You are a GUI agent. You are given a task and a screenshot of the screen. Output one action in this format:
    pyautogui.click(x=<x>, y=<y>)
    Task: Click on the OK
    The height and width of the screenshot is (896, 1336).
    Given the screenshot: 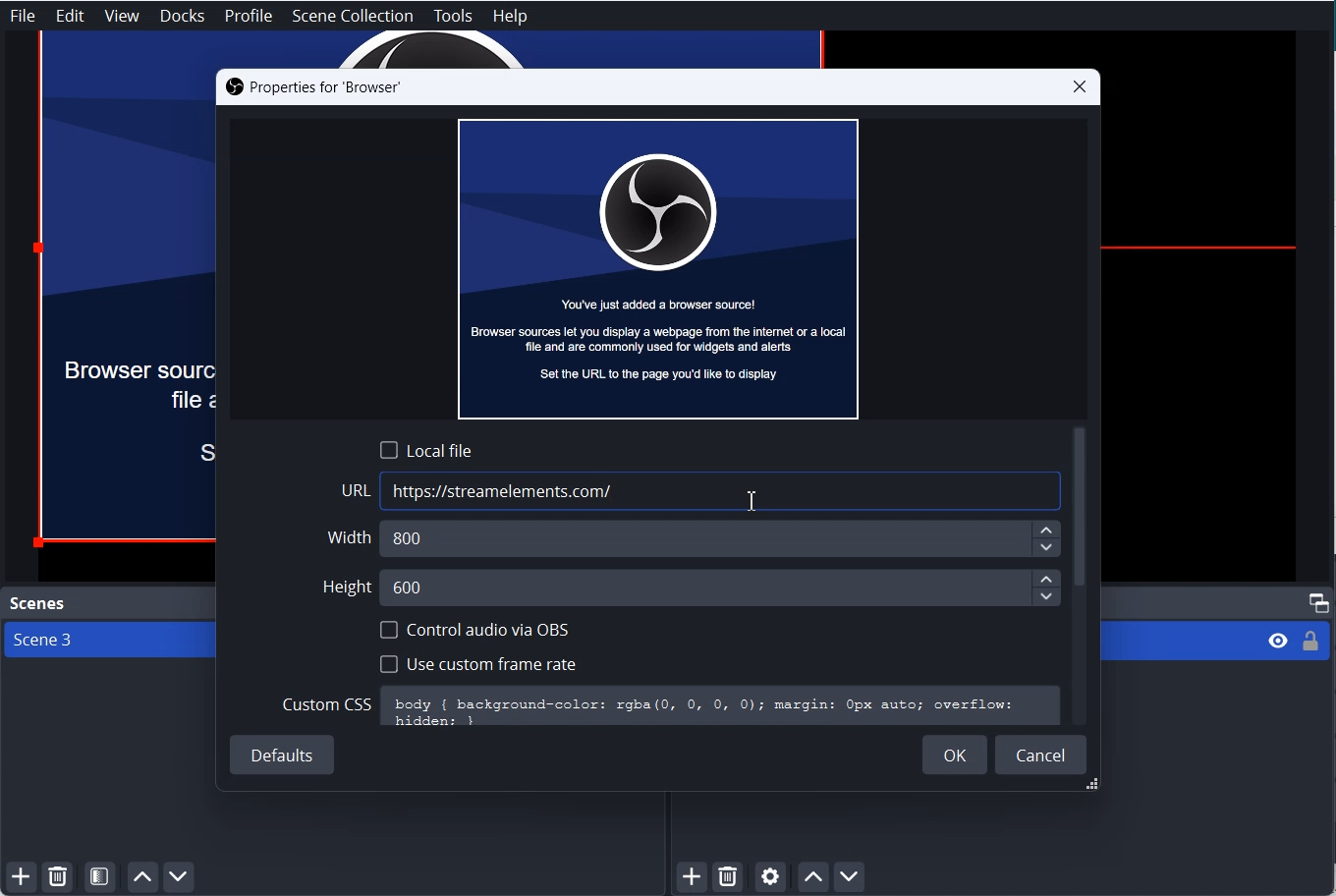 What is the action you would take?
    pyautogui.click(x=955, y=755)
    